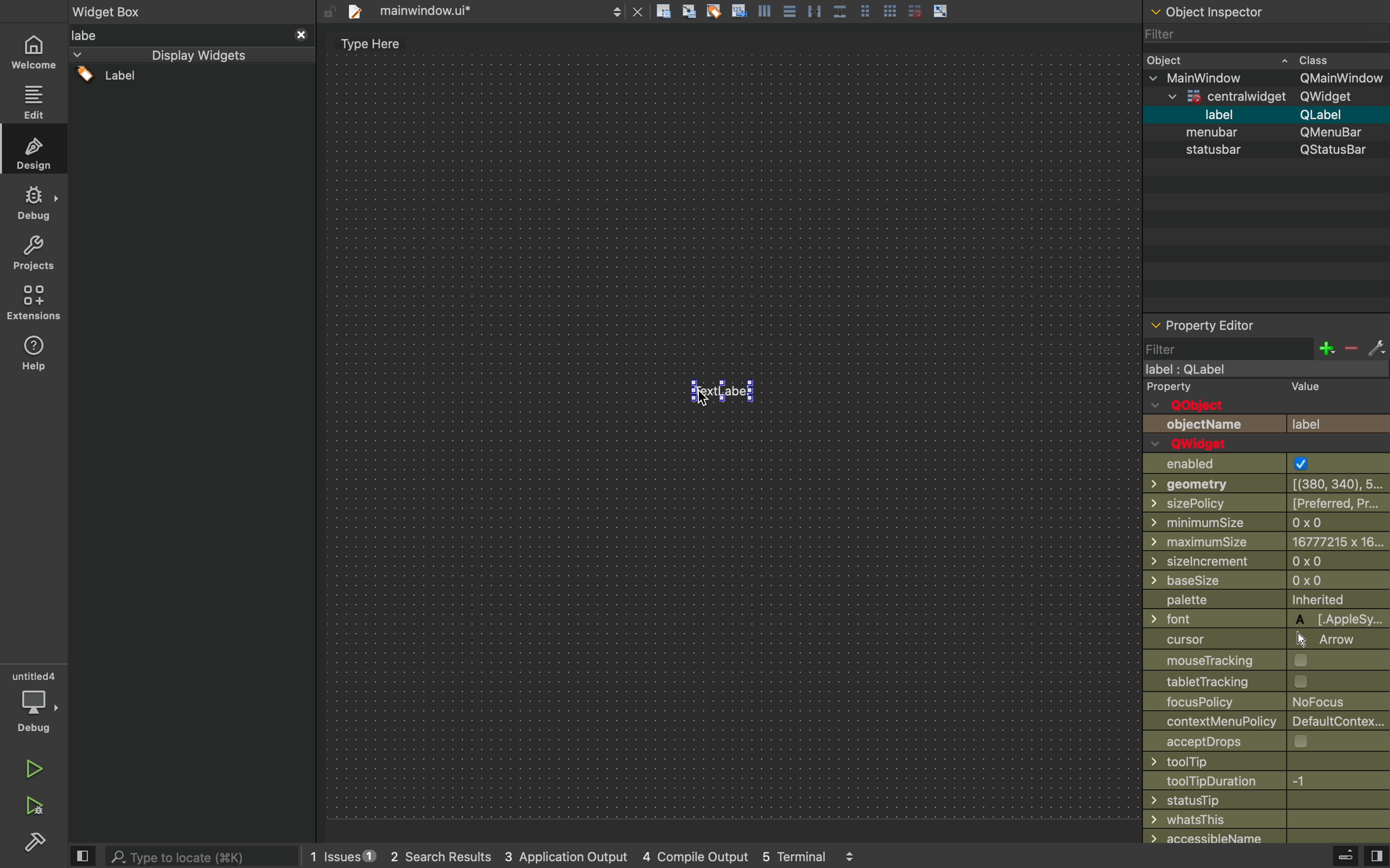  I want to click on design, so click(33, 149).